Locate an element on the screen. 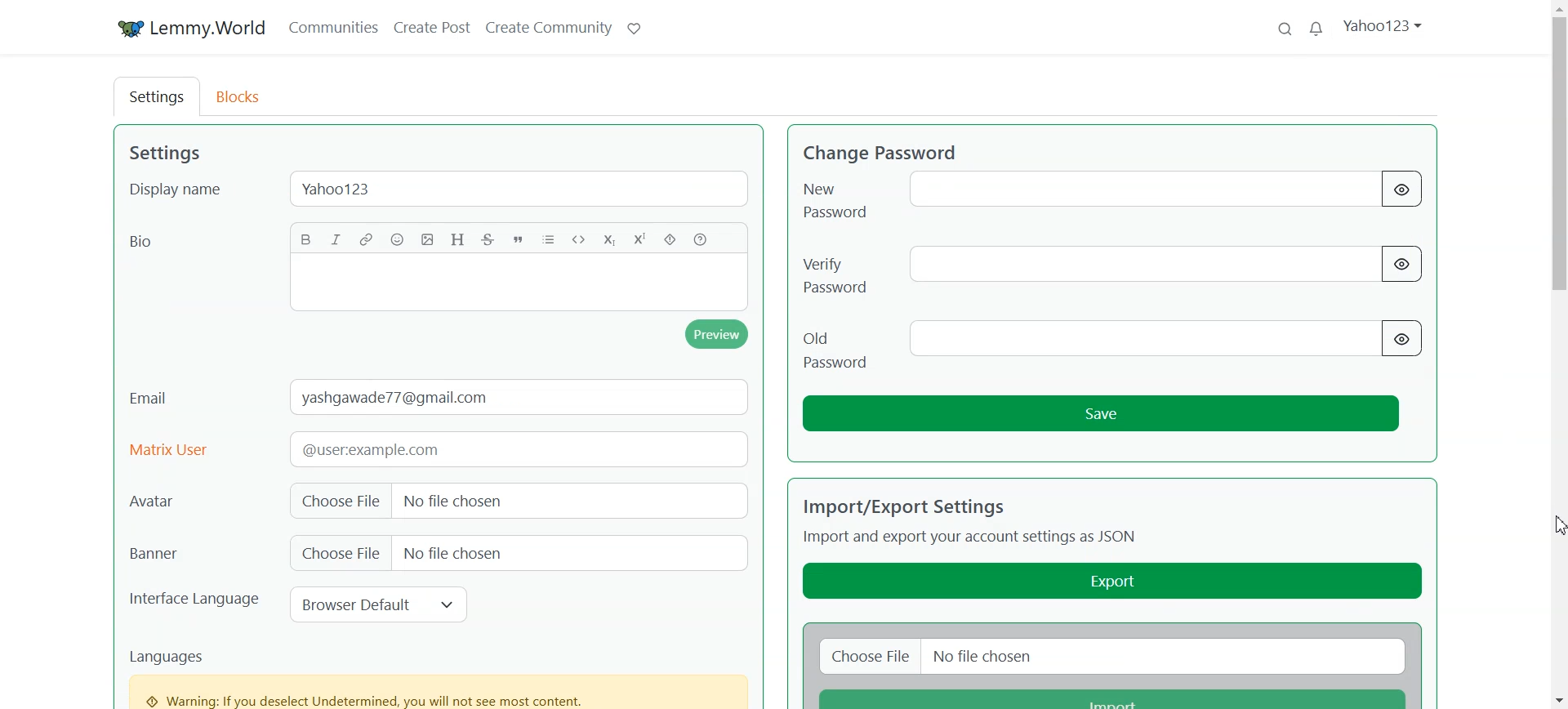 The height and width of the screenshot is (709, 1568). Avatar is located at coordinates (194, 500).